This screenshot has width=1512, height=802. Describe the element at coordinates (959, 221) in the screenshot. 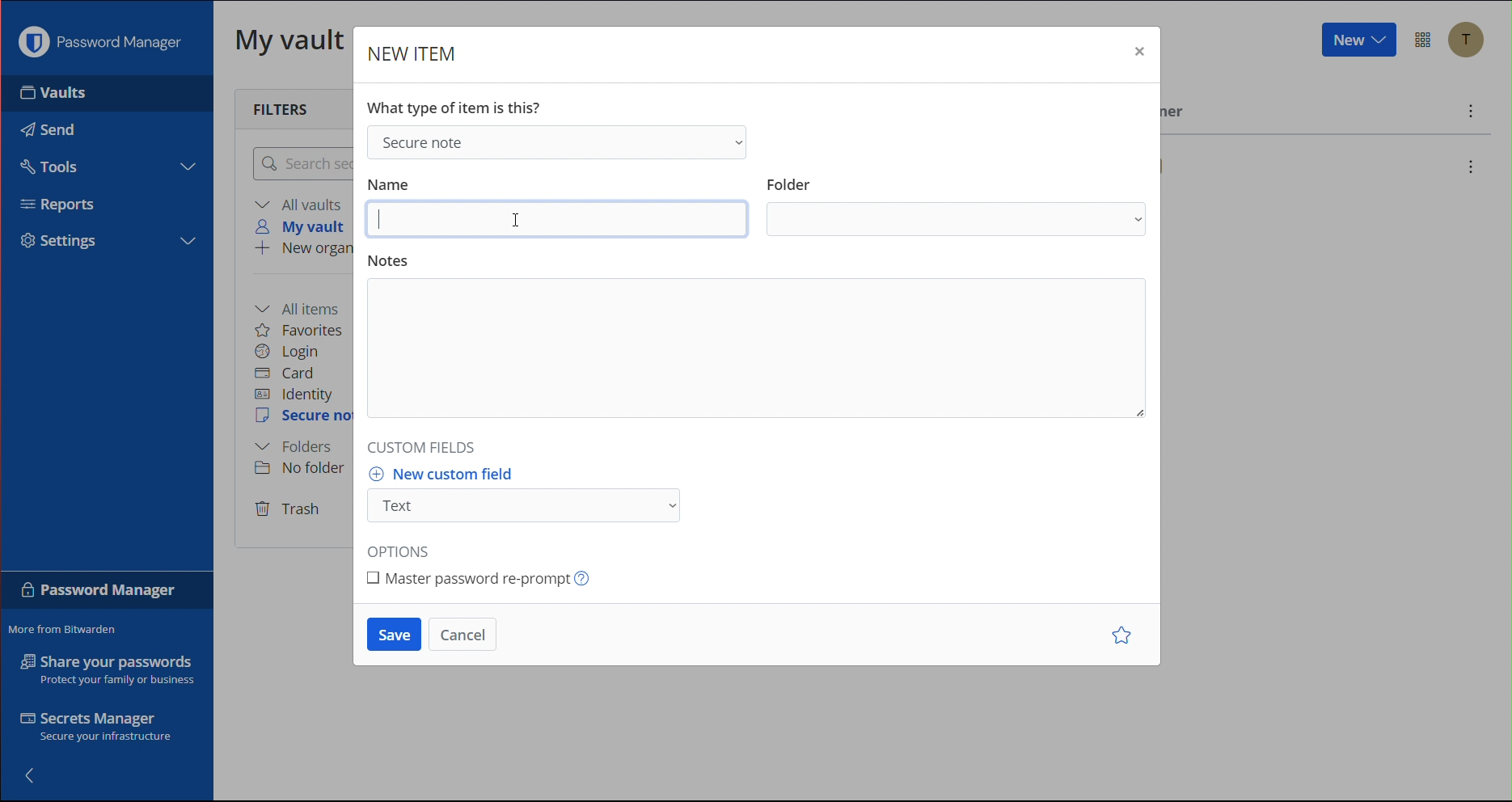

I see `Folder` at that location.